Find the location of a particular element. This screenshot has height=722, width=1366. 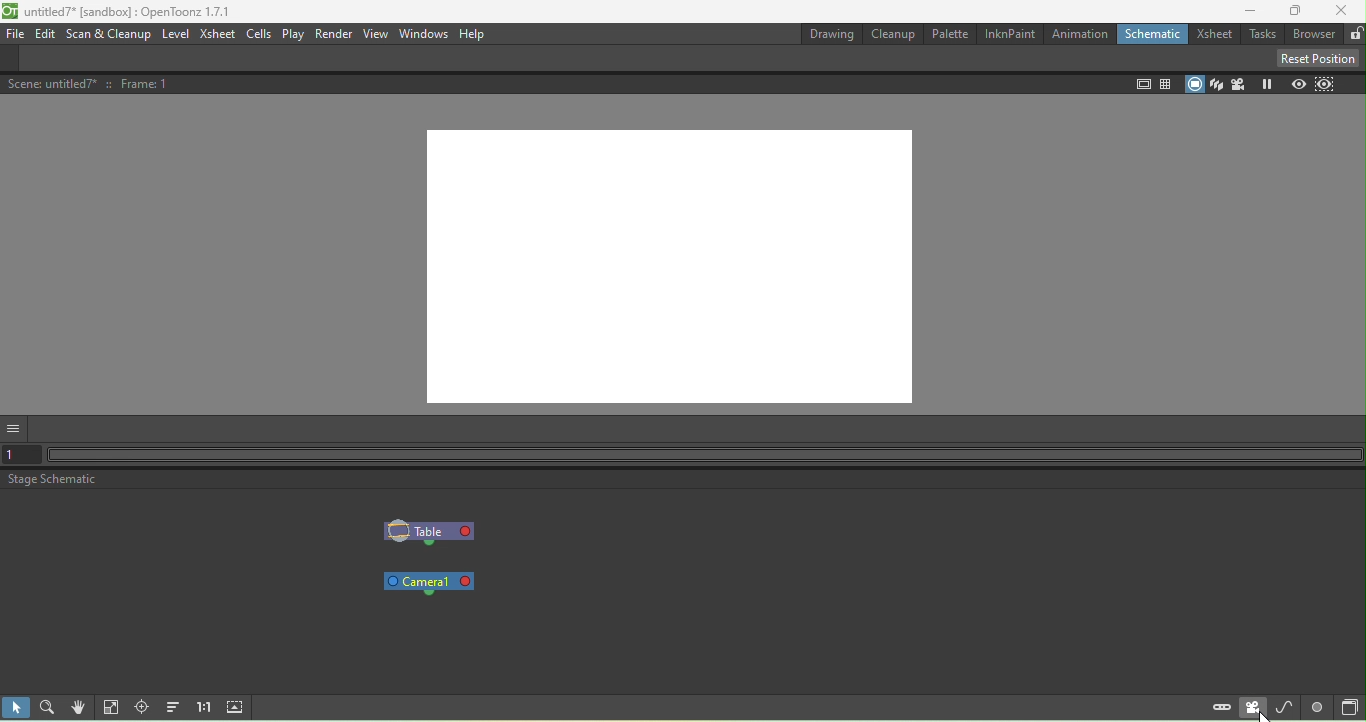

File name is located at coordinates (131, 11).